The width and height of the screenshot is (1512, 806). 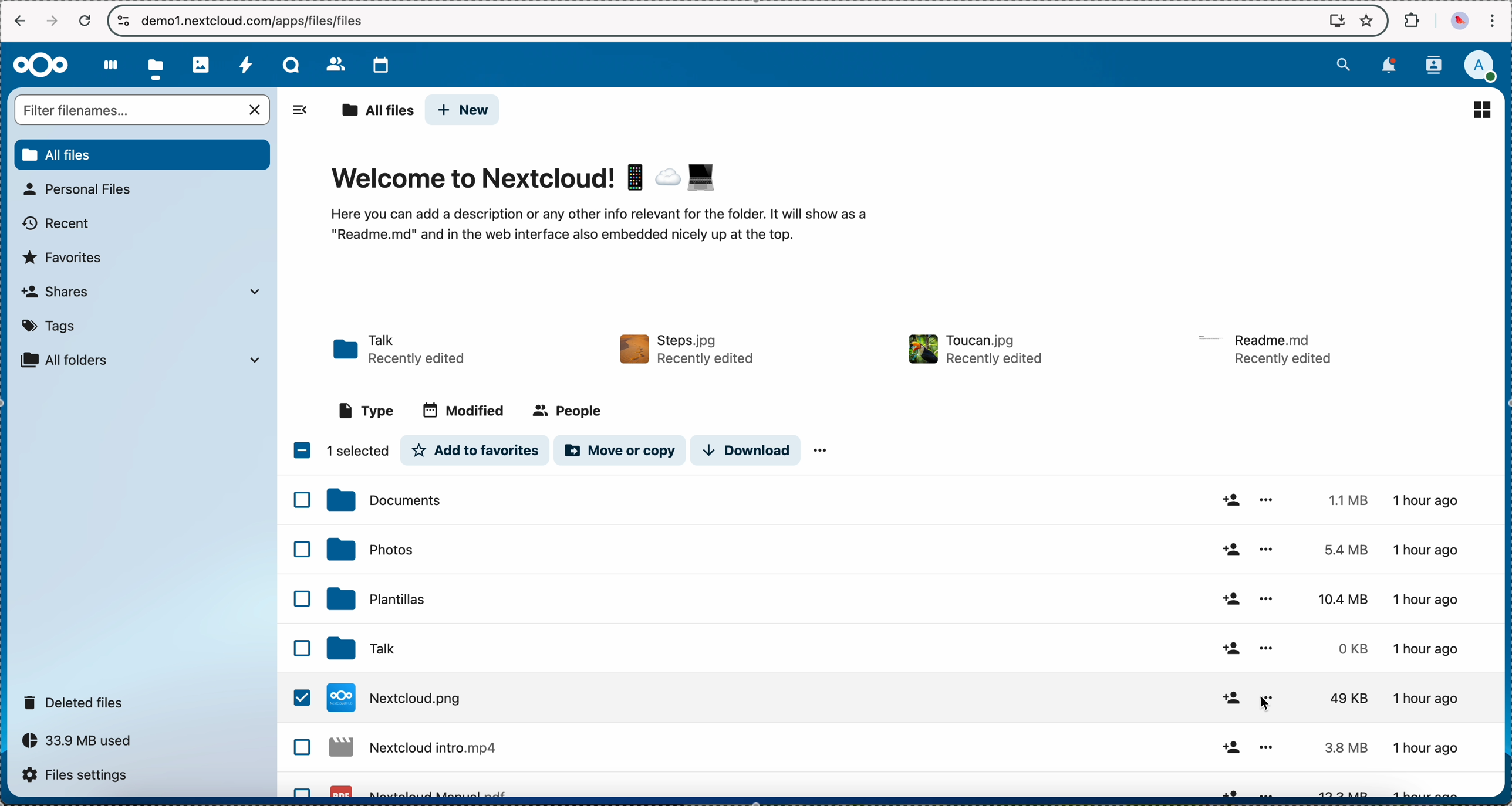 What do you see at coordinates (1484, 110) in the screenshot?
I see `list view` at bounding box center [1484, 110].